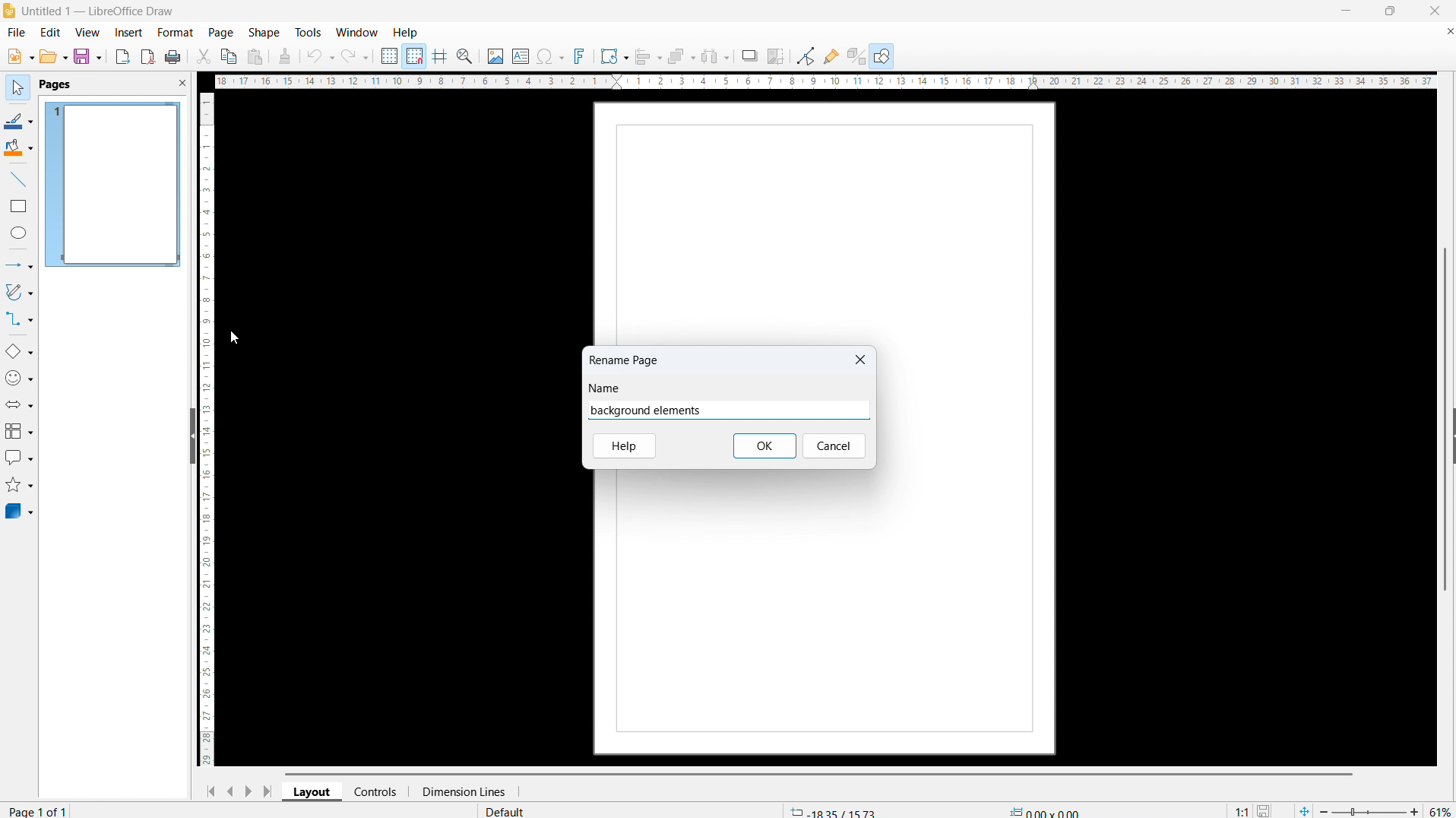 The height and width of the screenshot is (818, 1456). Describe the element at coordinates (716, 57) in the screenshot. I see `select at least three objects to distribute` at that location.